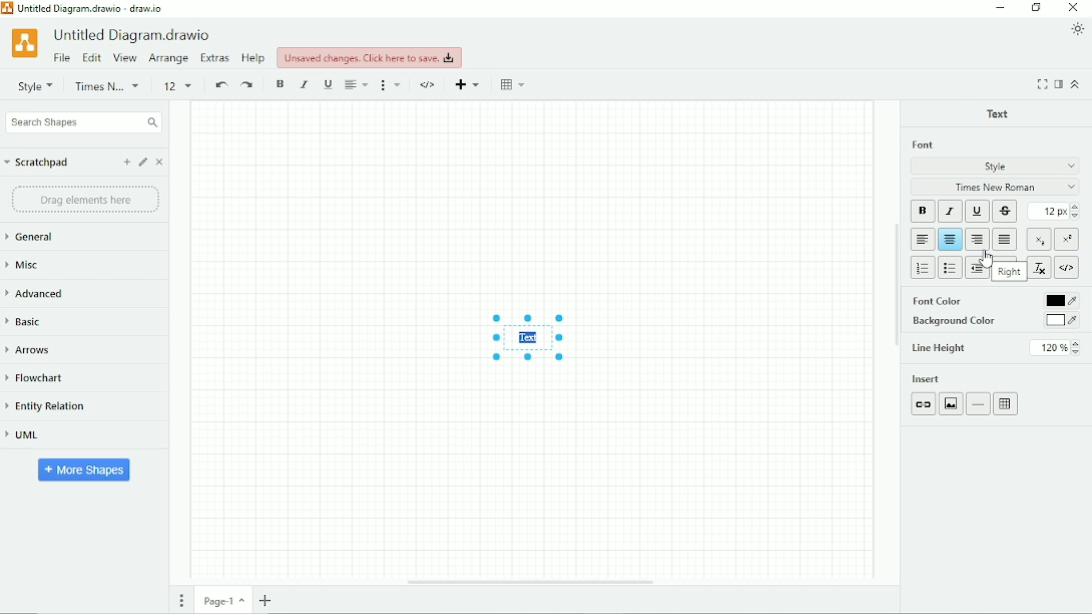 This screenshot has width=1092, height=614. I want to click on Italic, so click(304, 84).